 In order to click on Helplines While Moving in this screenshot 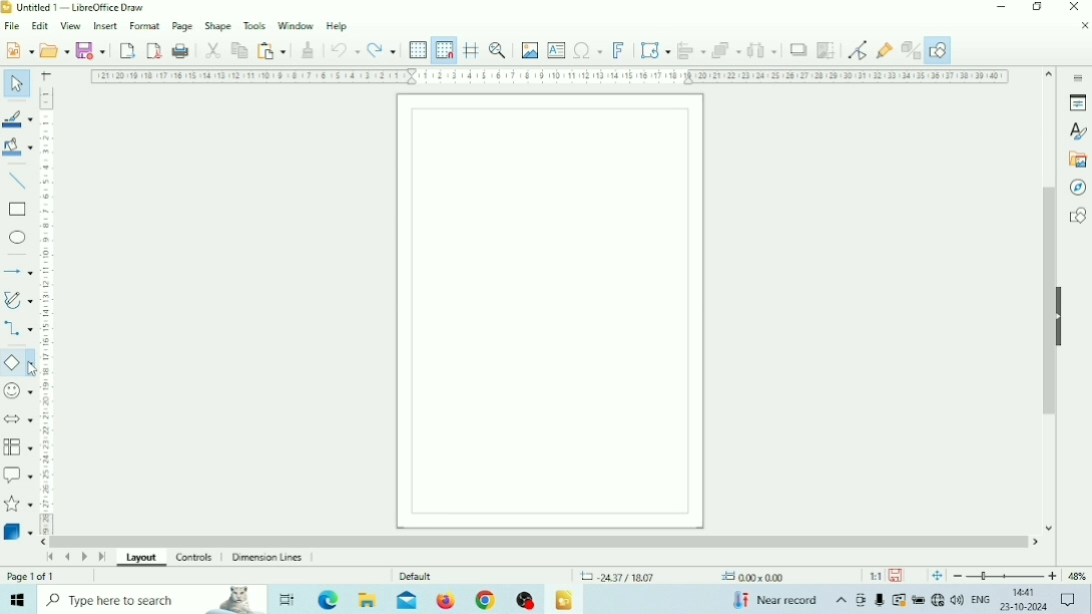, I will do `click(472, 49)`.